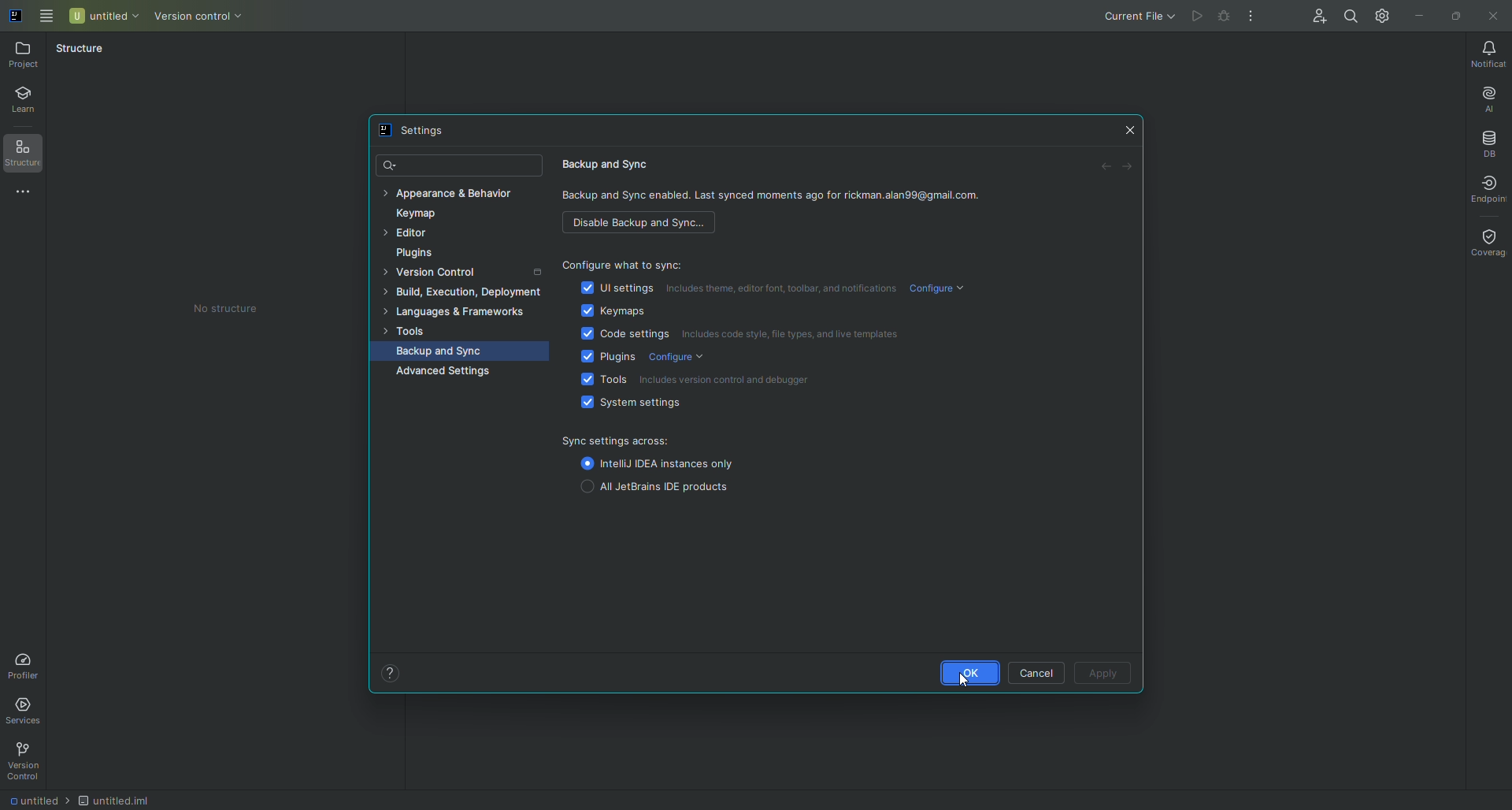  Describe the element at coordinates (448, 351) in the screenshot. I see `Backup and Sync` at that location.